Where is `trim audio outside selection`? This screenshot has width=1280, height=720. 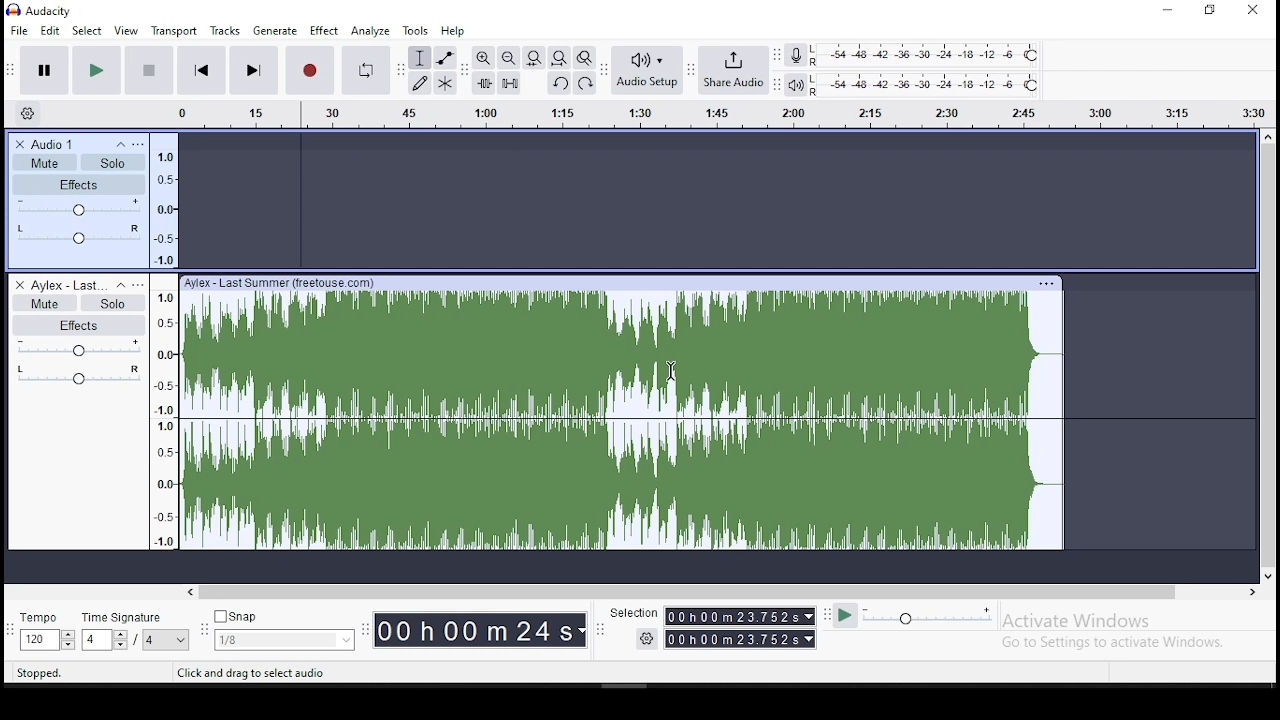 trim audio outside selection is located at coordinates (482, 82).